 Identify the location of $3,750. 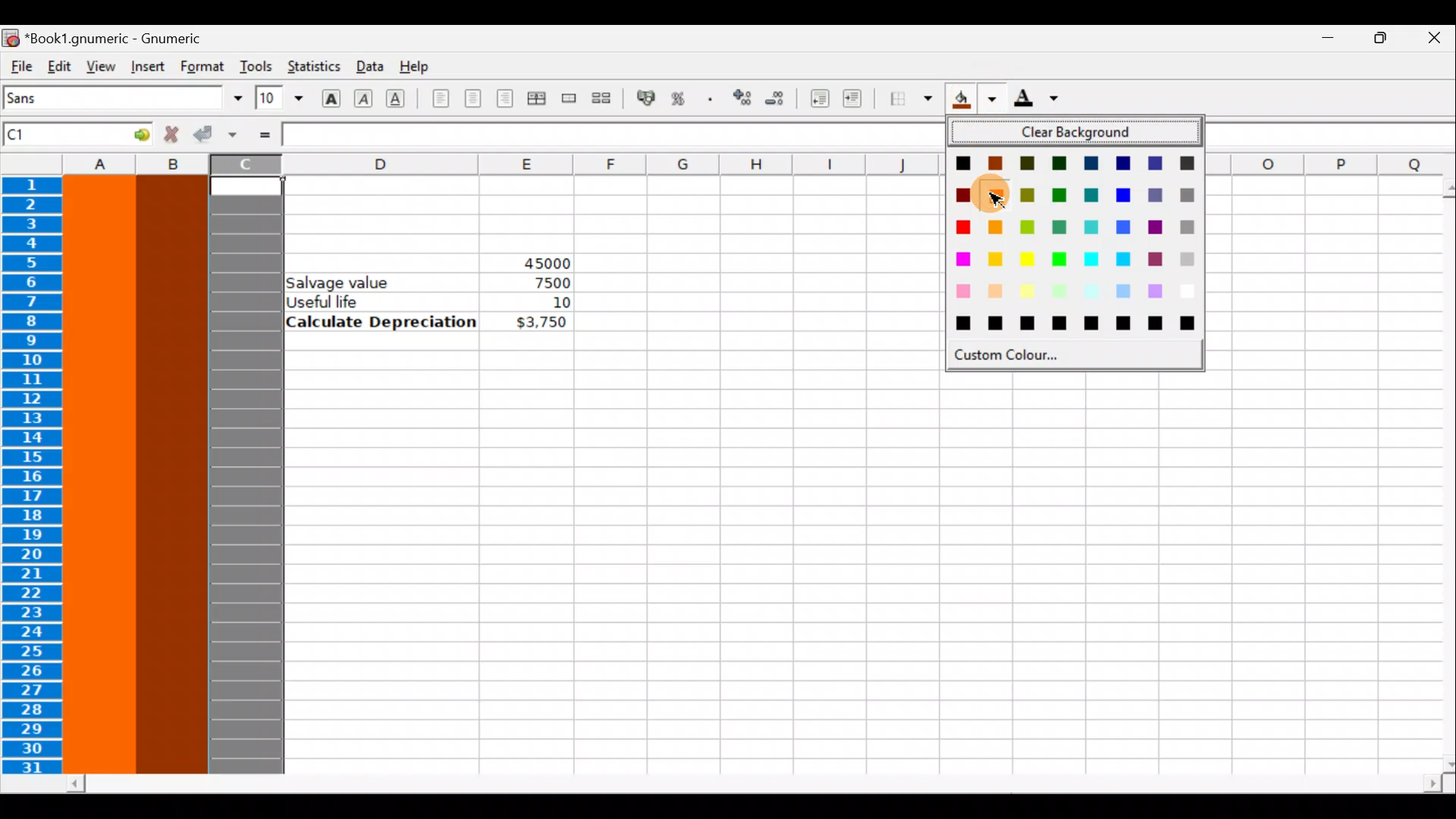
(540, 323).